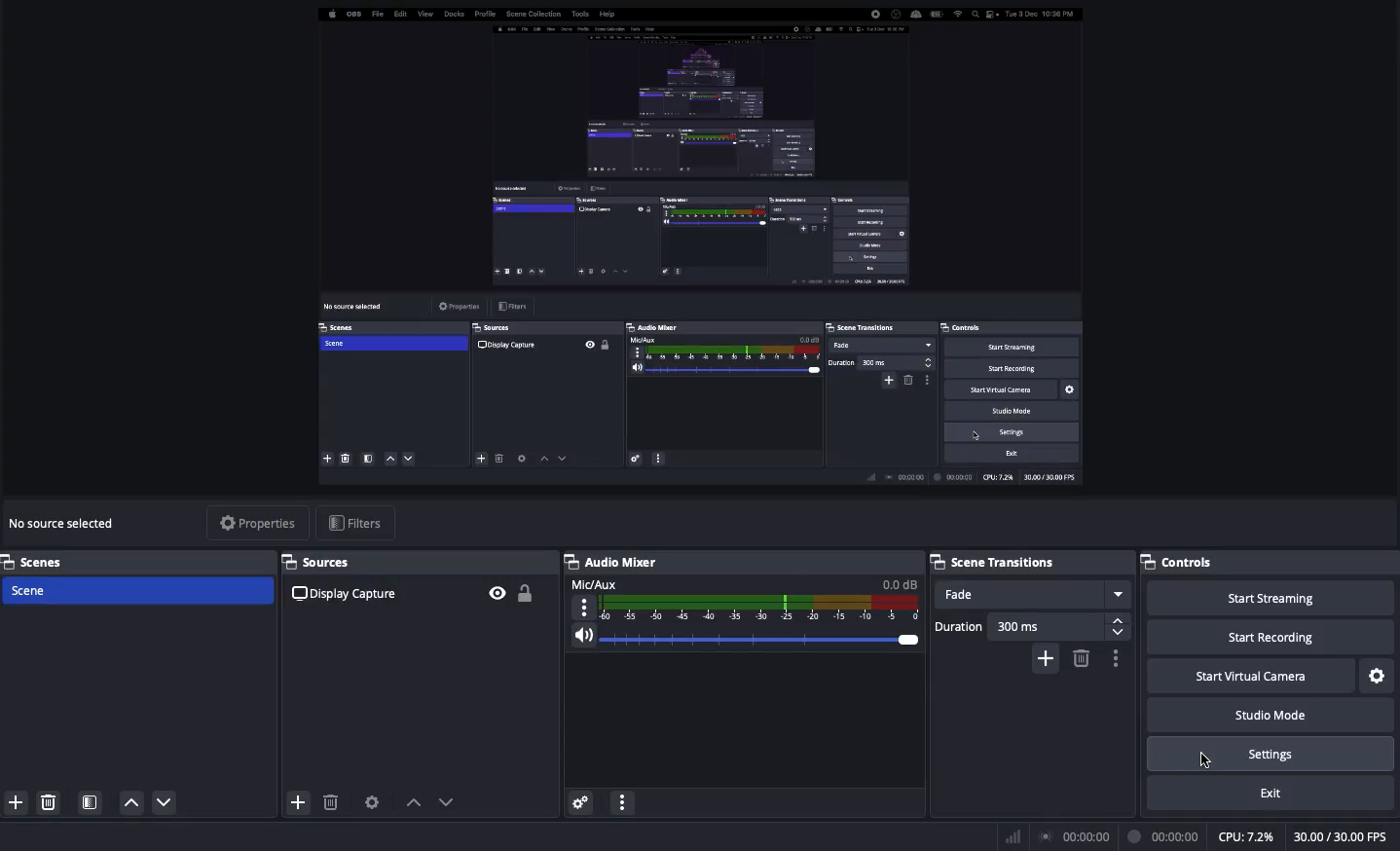 The width and height of the screenshot is (1400, 851). I want to click on Add, so click(1044, 659).